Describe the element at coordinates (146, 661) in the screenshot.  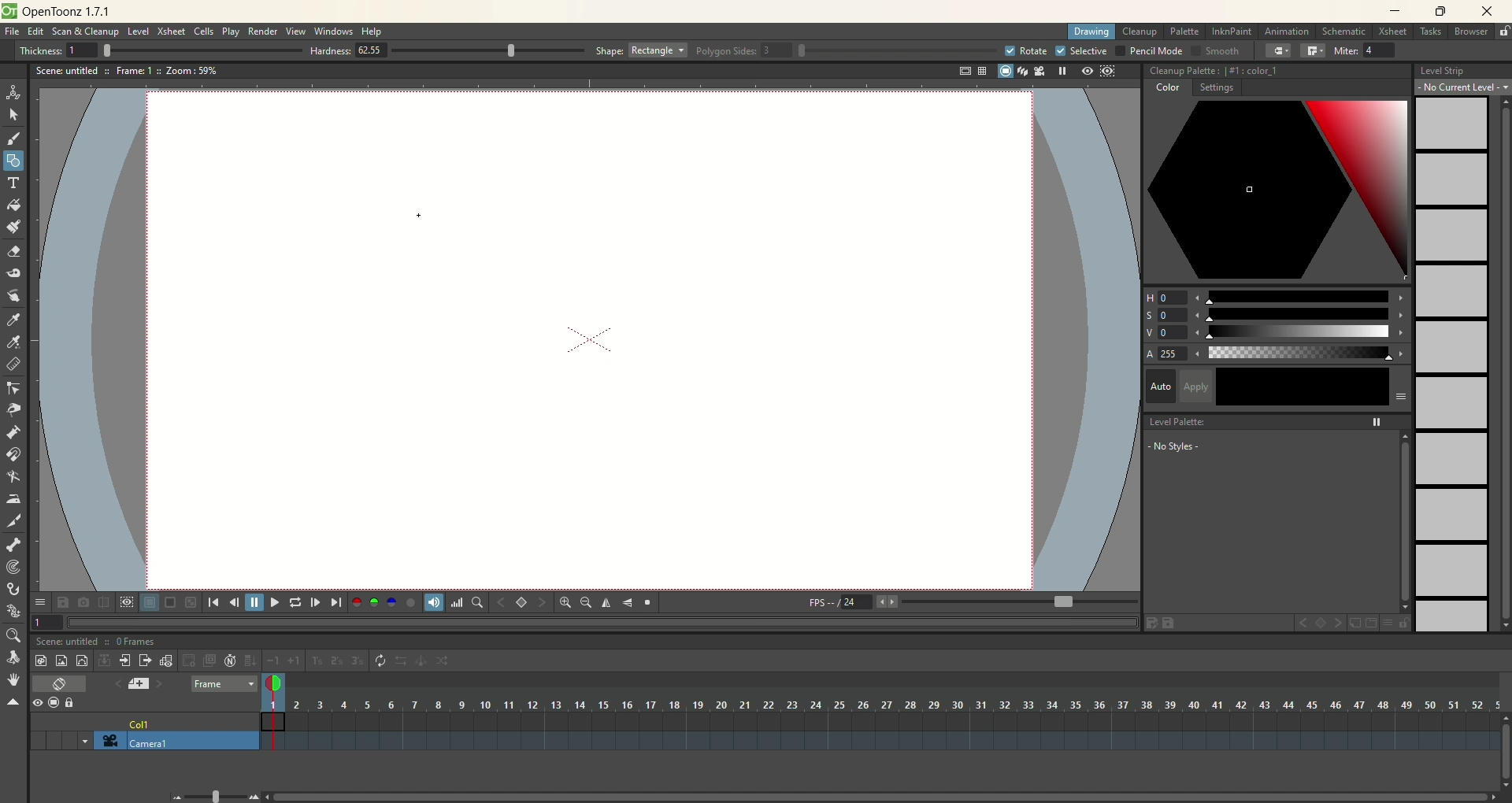
I see `close sub-Xsheet` at that location.